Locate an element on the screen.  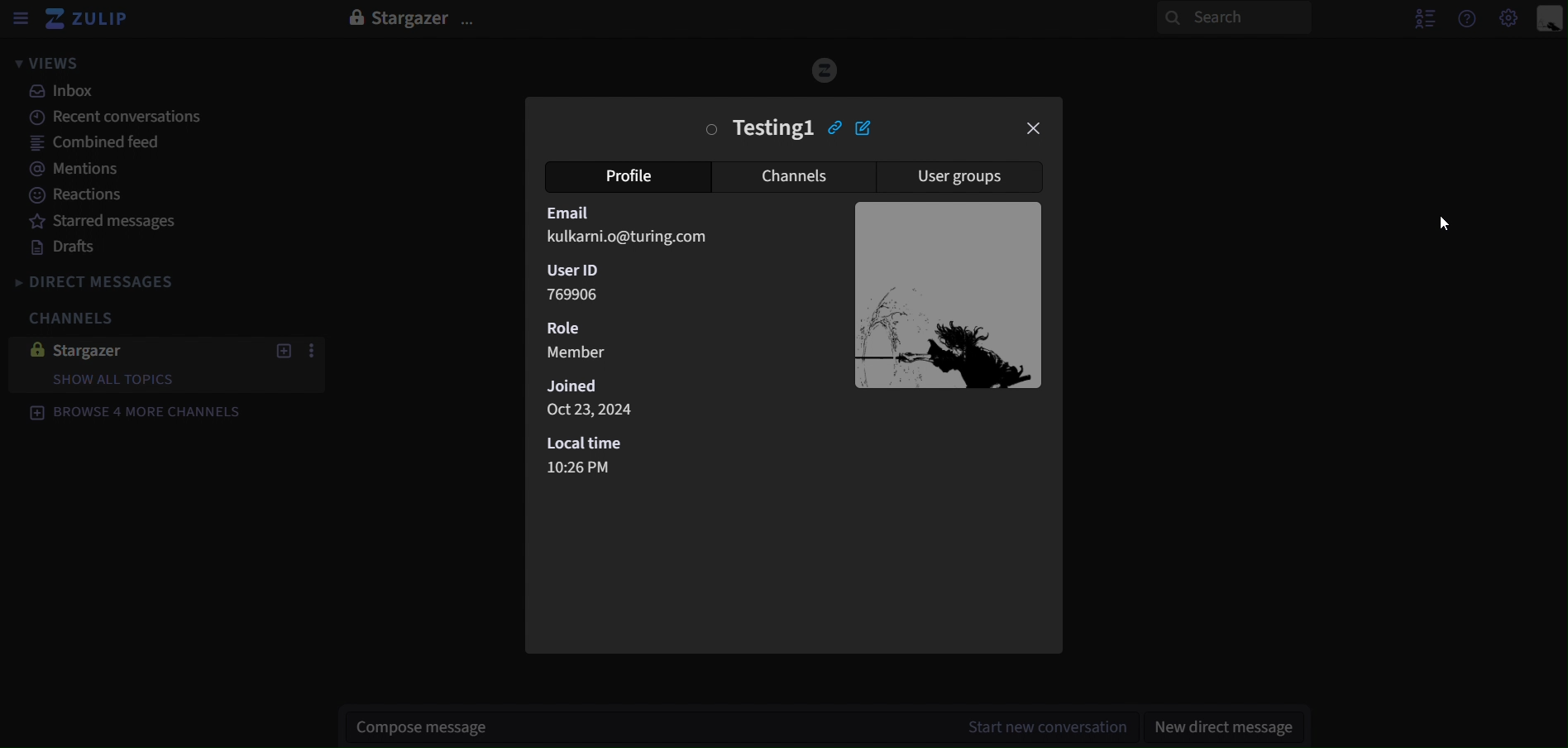
new topics is located at coordinates (283, 351).